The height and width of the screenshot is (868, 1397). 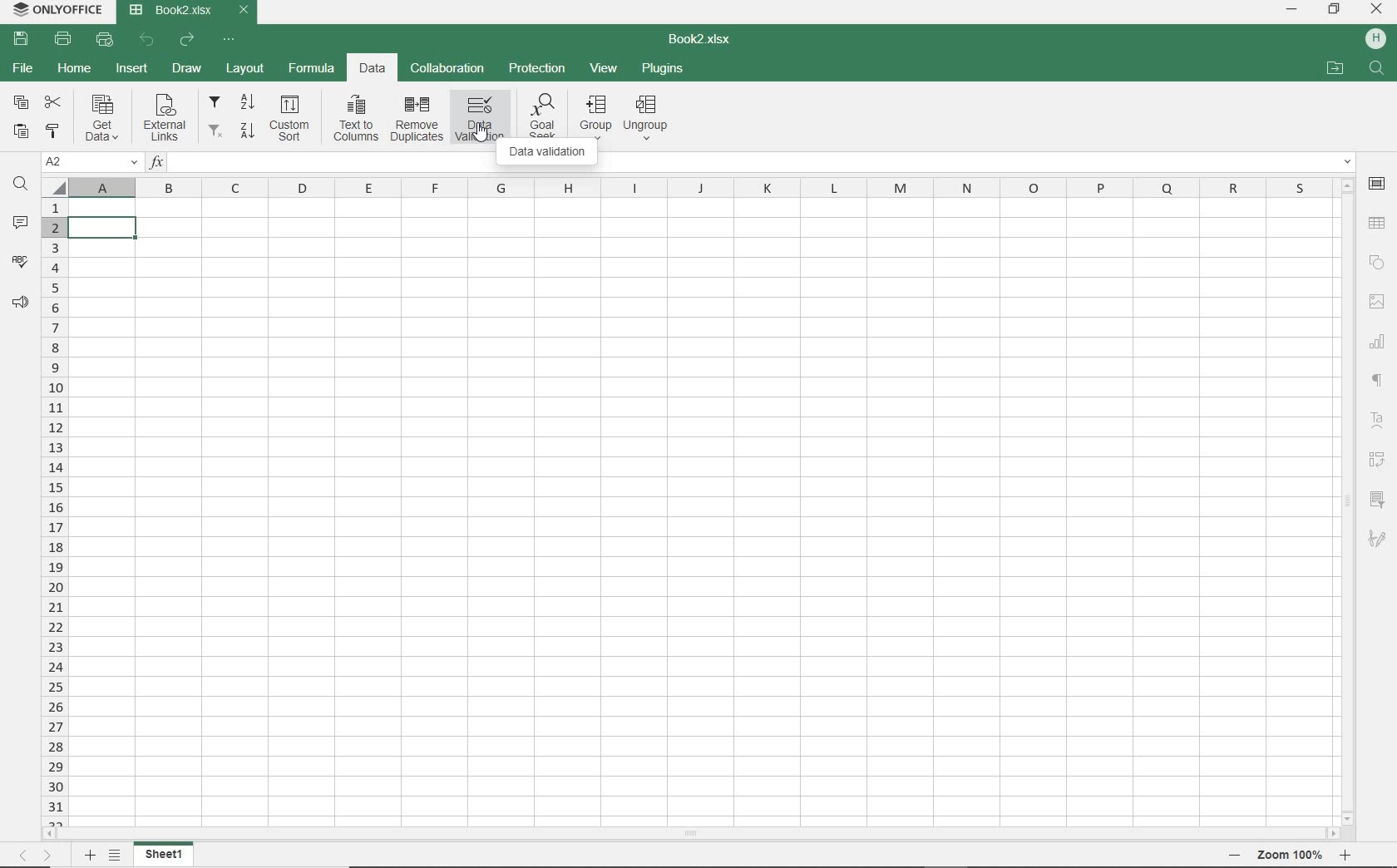 I want to click on SCROLLBAR, so click(x=688, y=831).